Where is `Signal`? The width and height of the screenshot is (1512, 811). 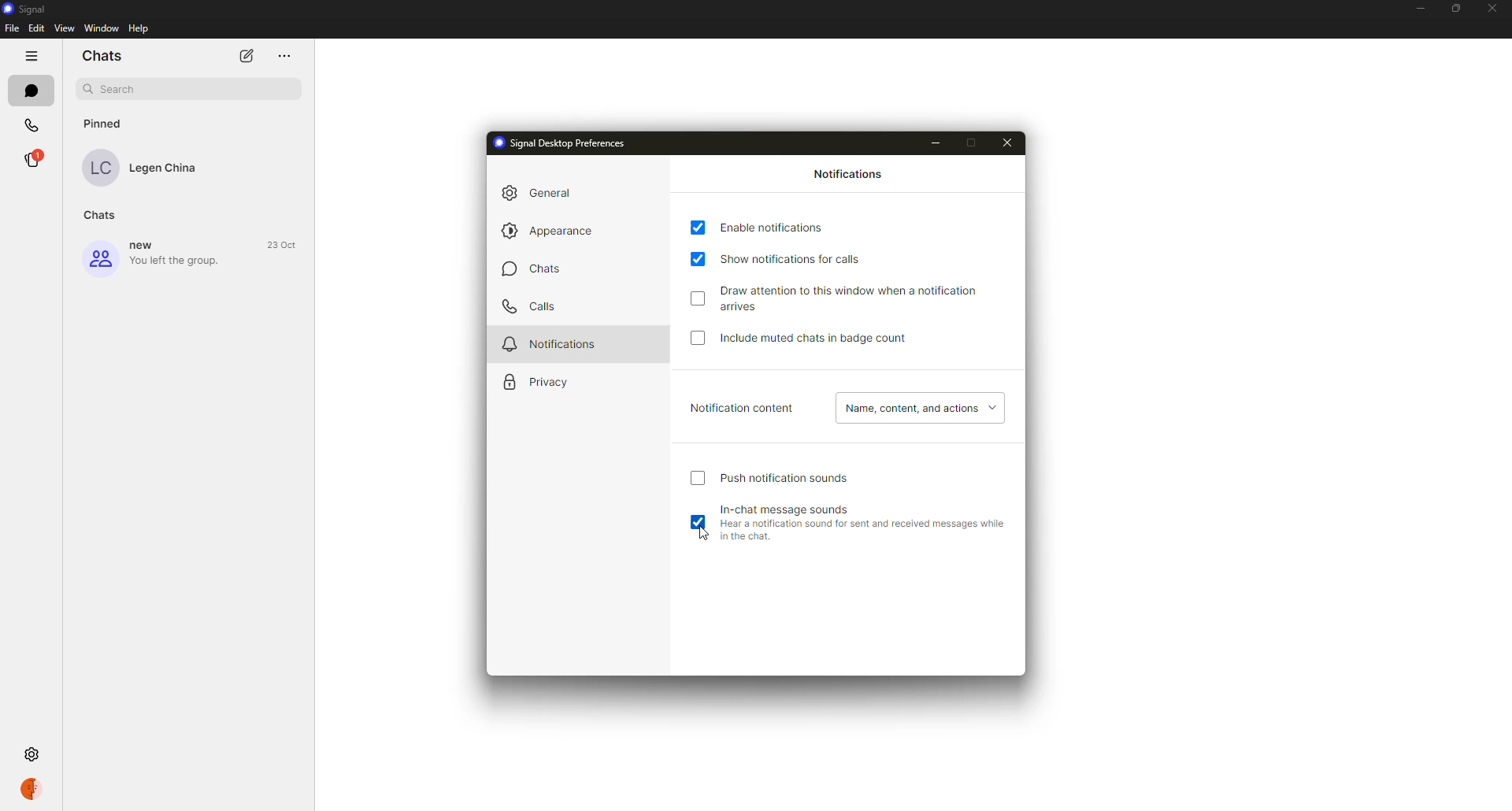 Signal is located at coordinates (27, 9).